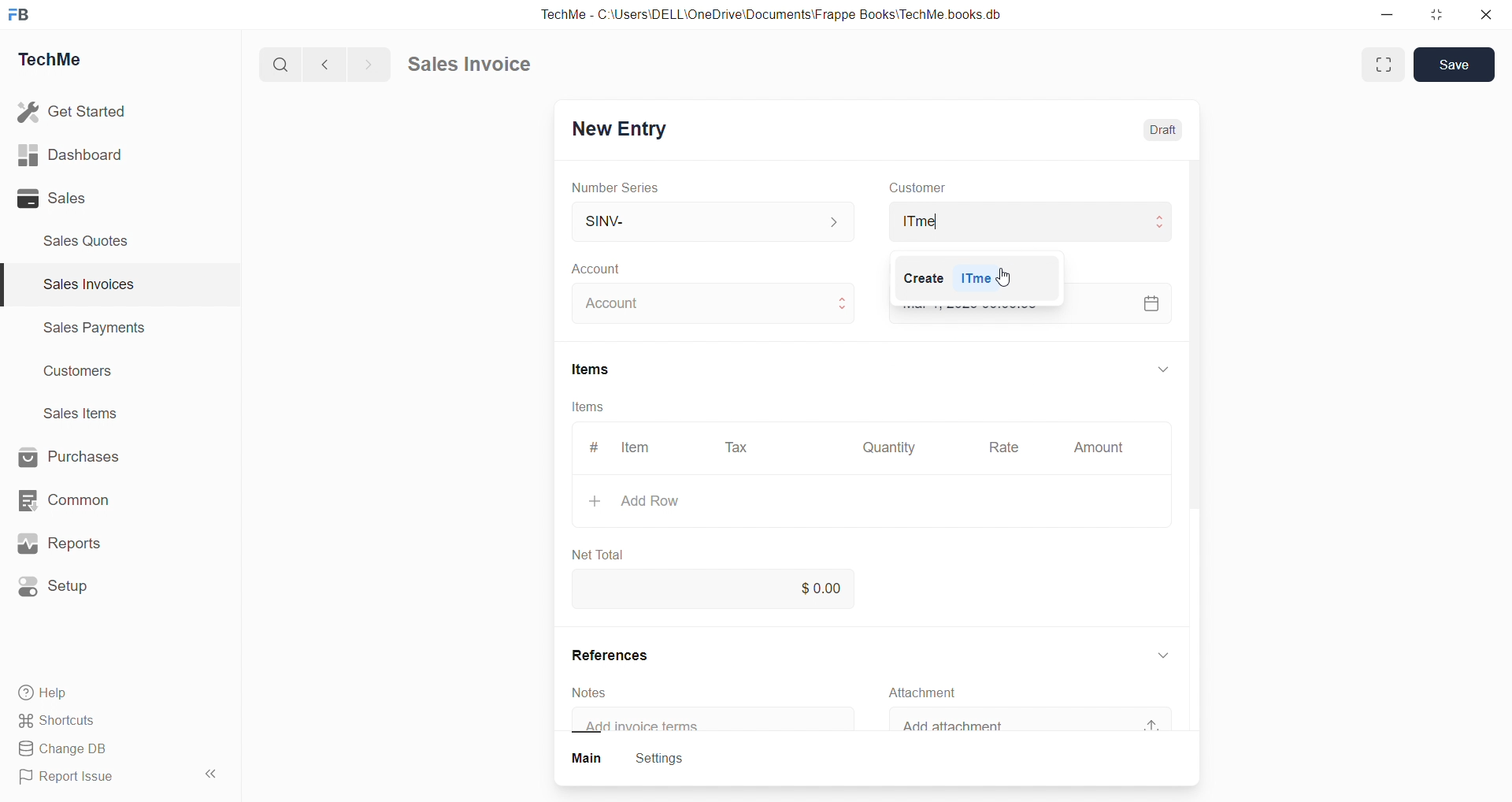 Image resolution: width=1512 pixels, height=802 pixels. Describe the element at coordinates (982, 280) in the screenshot. I see `1Tme ` at that location.